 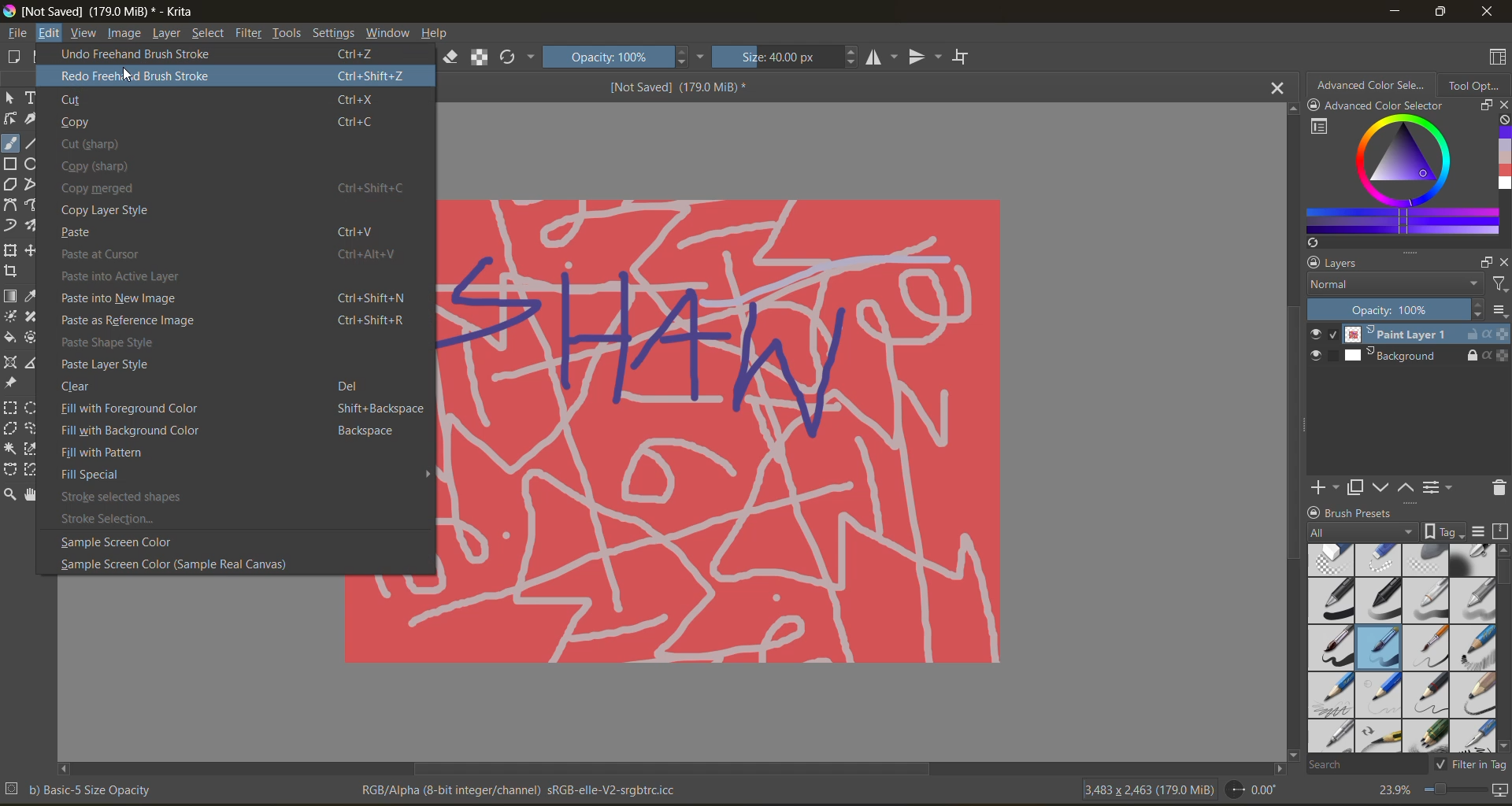 I want to click on close tab, so click(x=1277, y=87).